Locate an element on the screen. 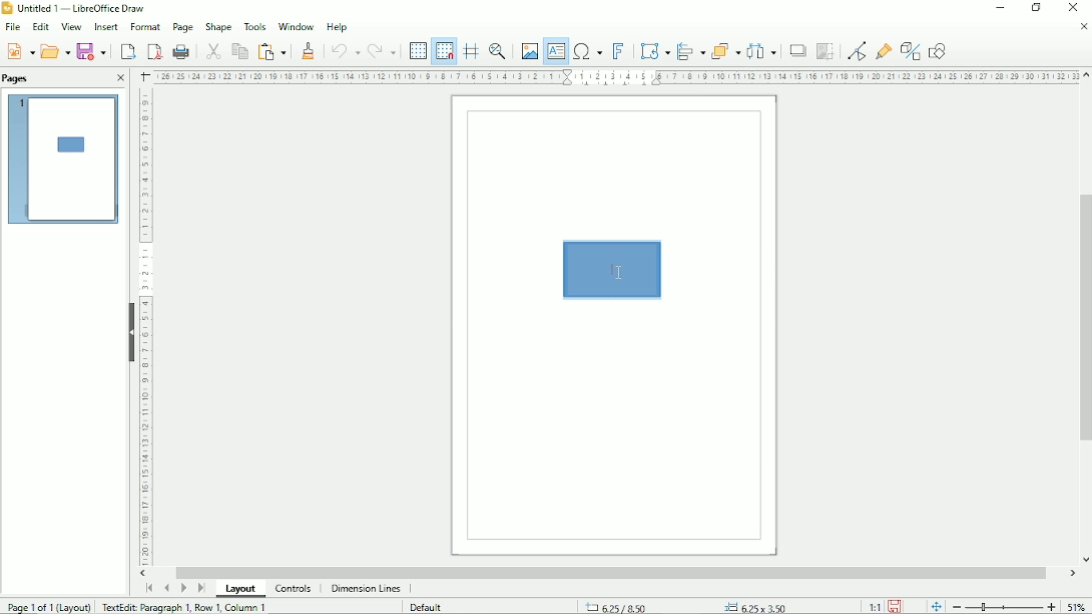 This screenshot has width=1092, height=614. Snap to grid is located at coordinates (443, 51).